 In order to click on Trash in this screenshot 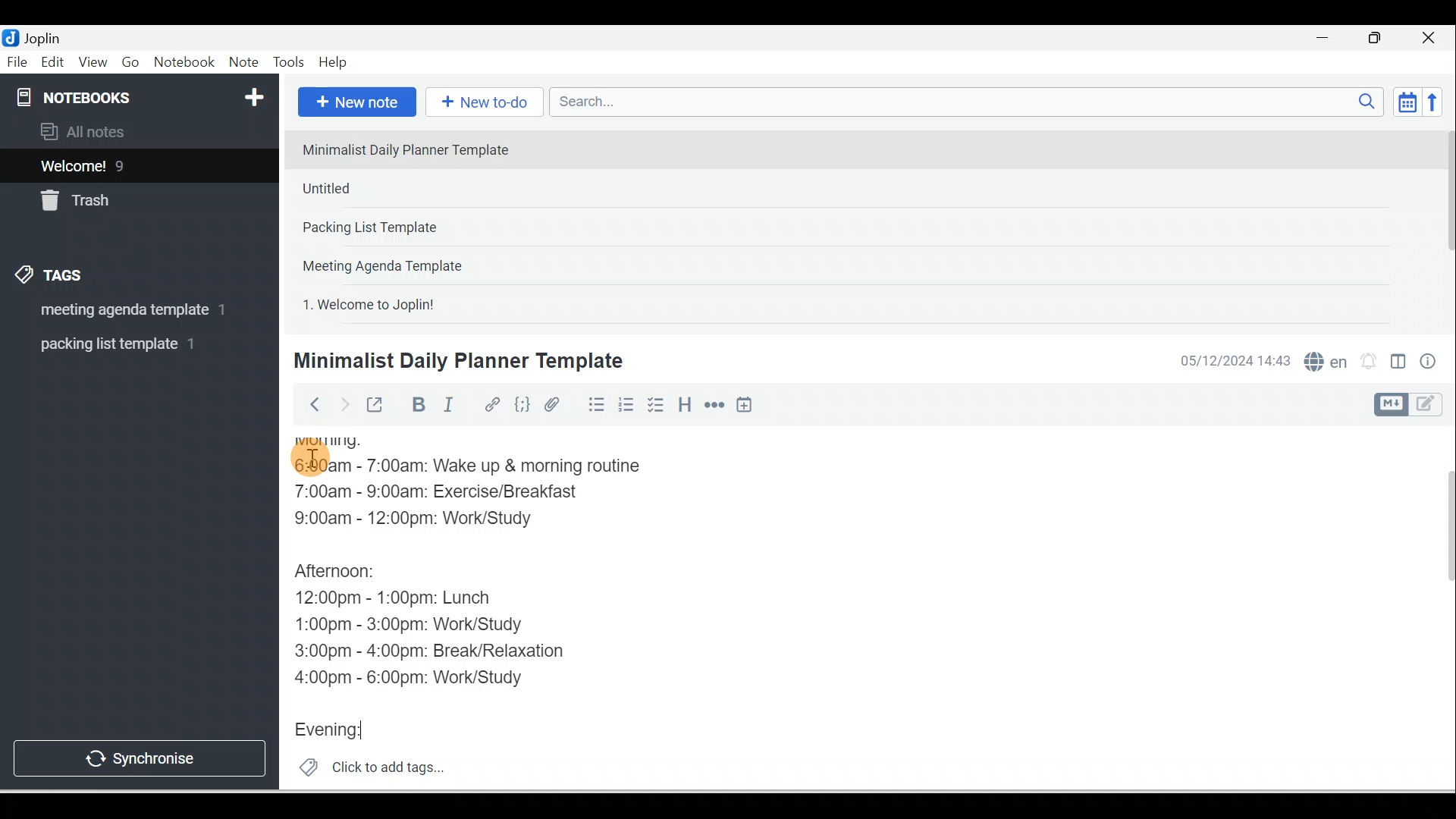, I will do `click(111, 196)`.